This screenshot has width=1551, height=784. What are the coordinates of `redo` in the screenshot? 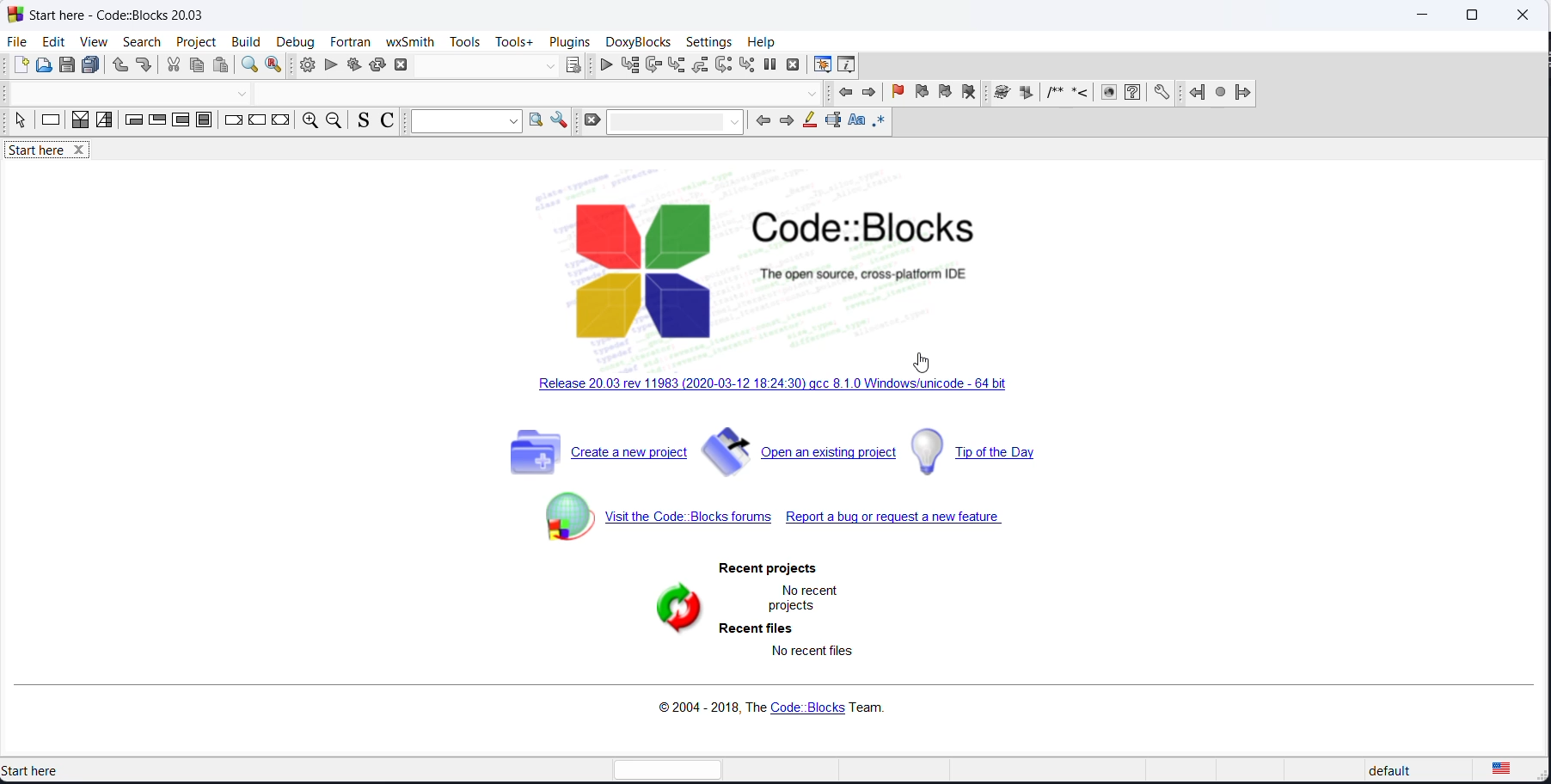 It's located at (145, 67).